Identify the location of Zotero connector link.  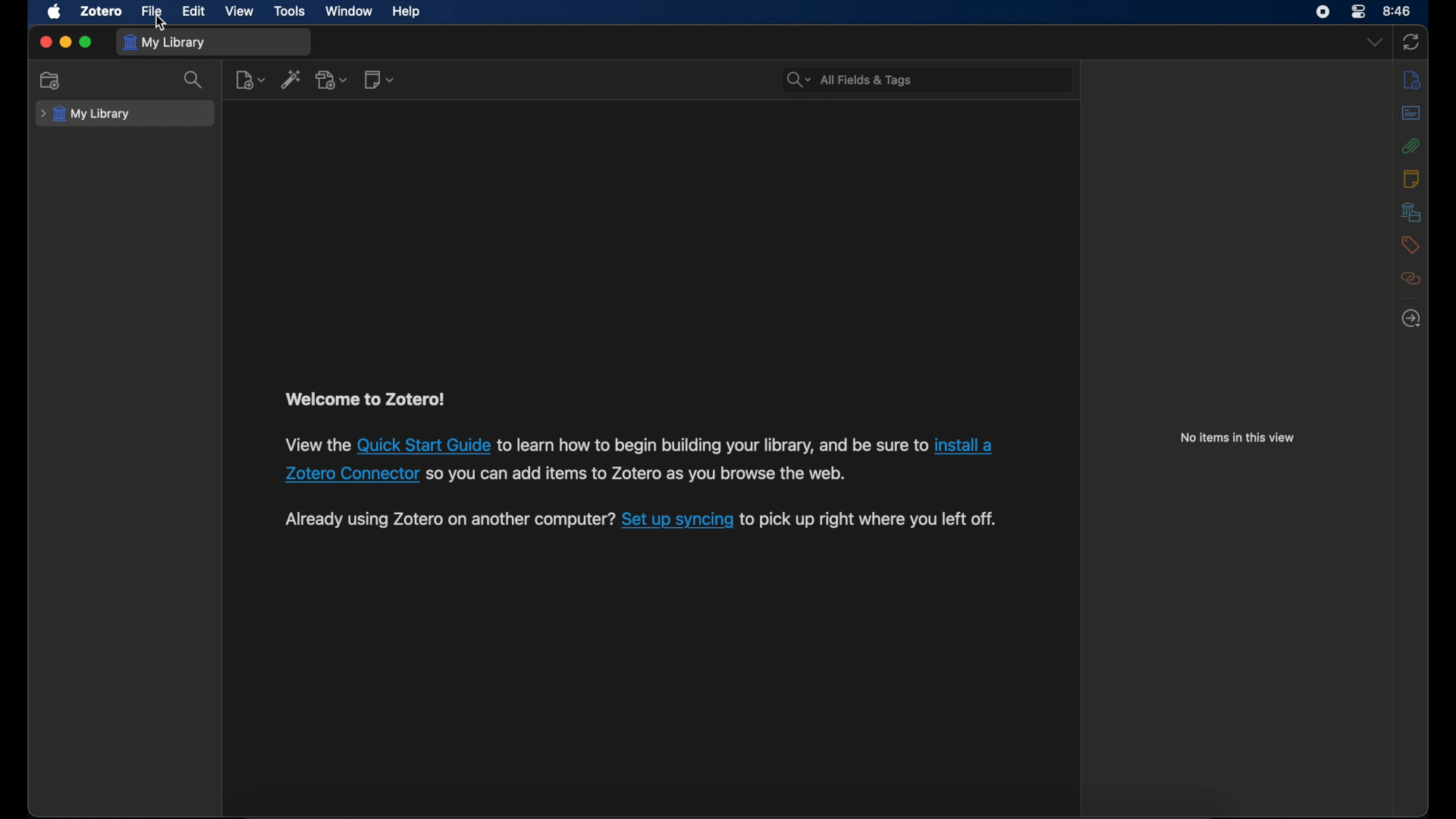
(968, 444).